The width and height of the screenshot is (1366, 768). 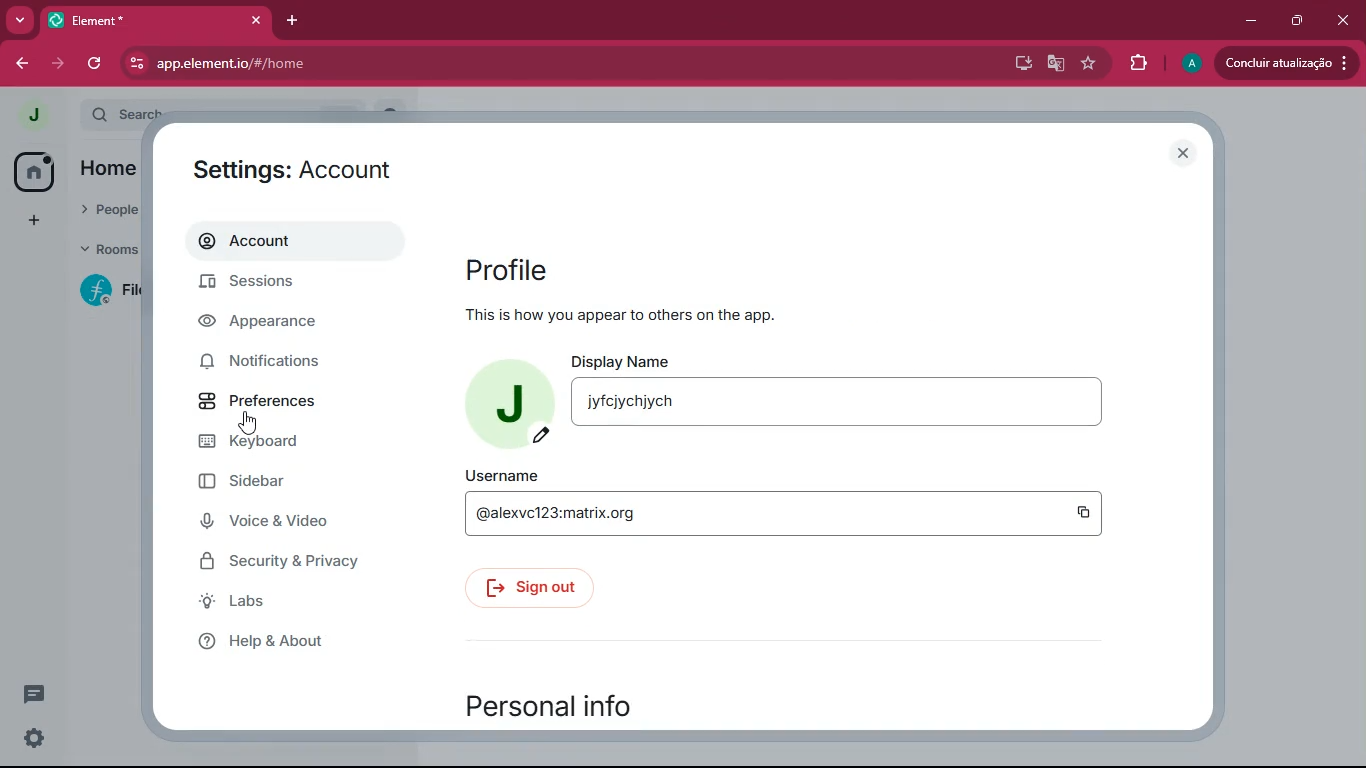 What do you see at coordinates (110, 207) in the screenshot?
I see `people` at bounding box center [110, 207].